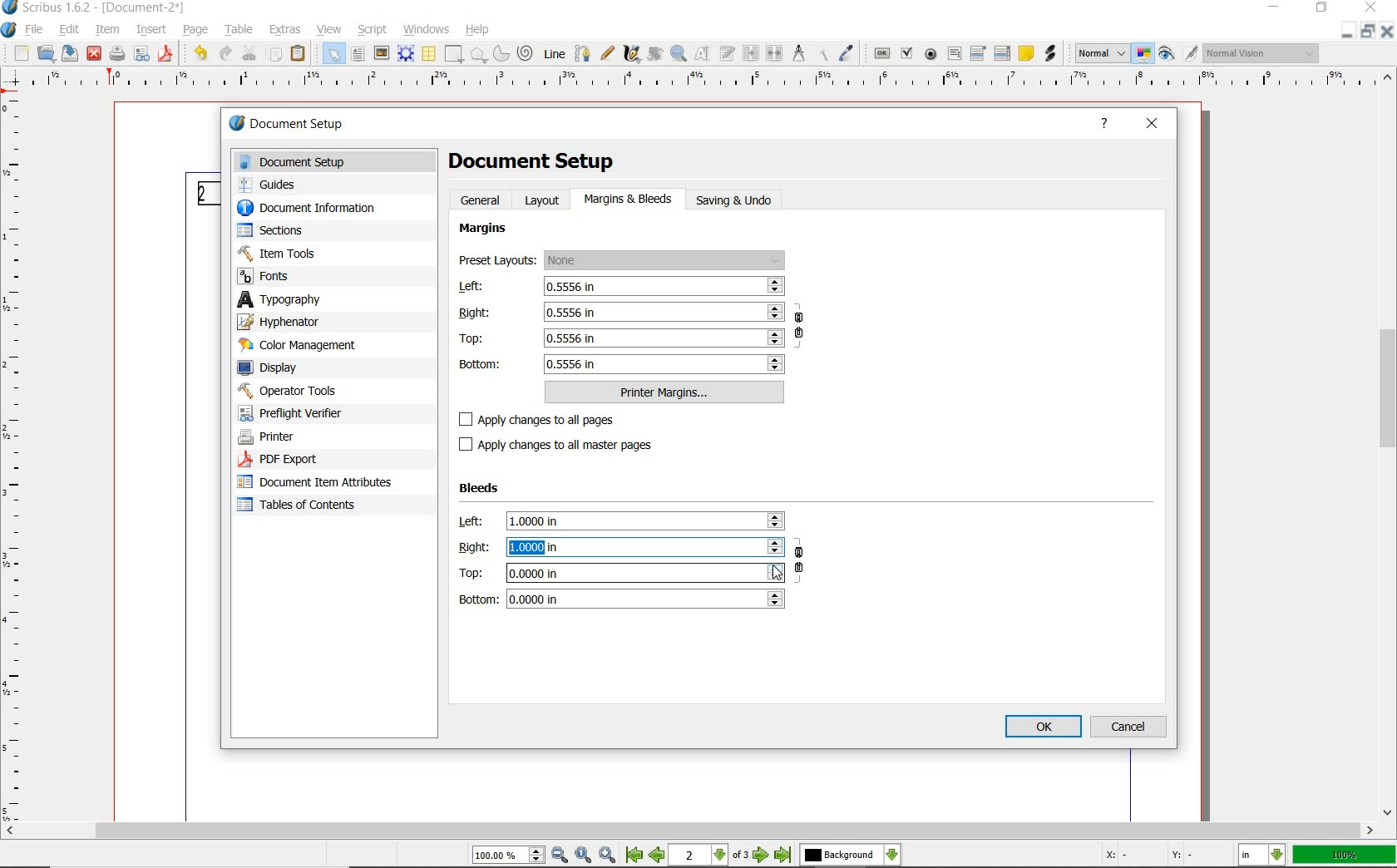 The height and width of the screenshot is (868, 1397). Describe the element at coordinates (358, 55) in the screenshot. I see `text frame` at that location.